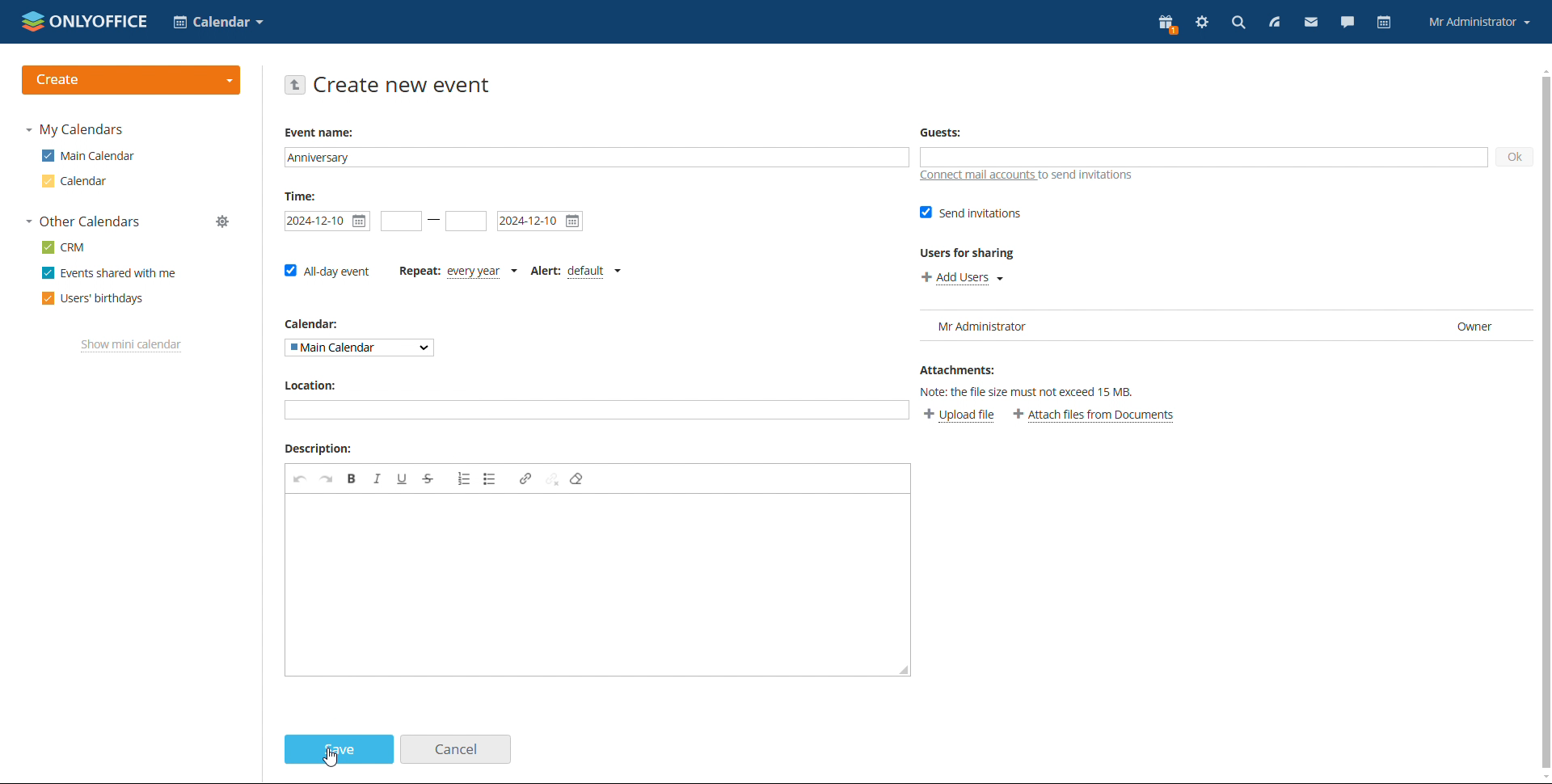 The width and height of the screenshot is (1552, 784). I want to click on create new event, so click(405, 86).